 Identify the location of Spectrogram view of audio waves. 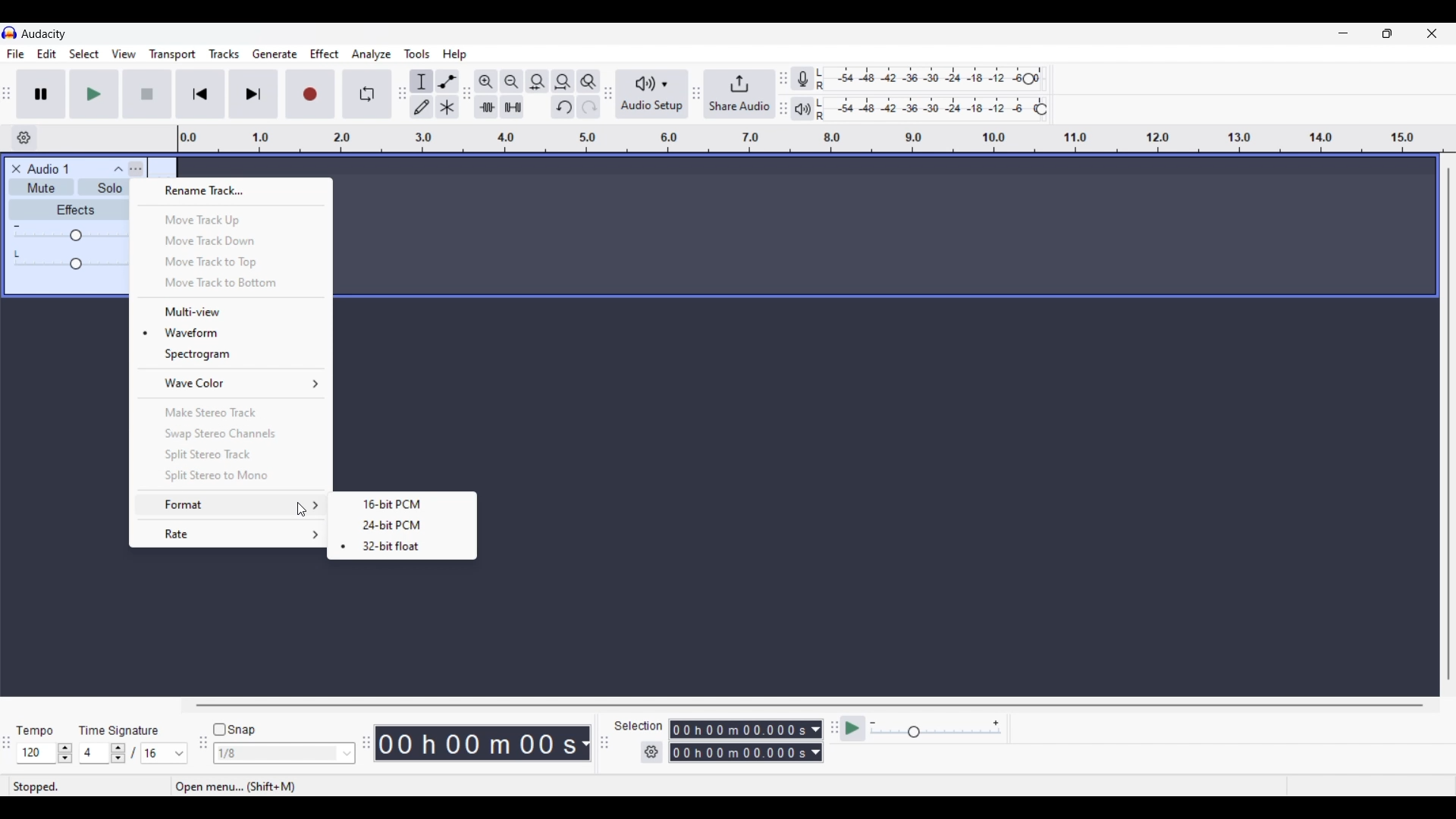
(231, 354).